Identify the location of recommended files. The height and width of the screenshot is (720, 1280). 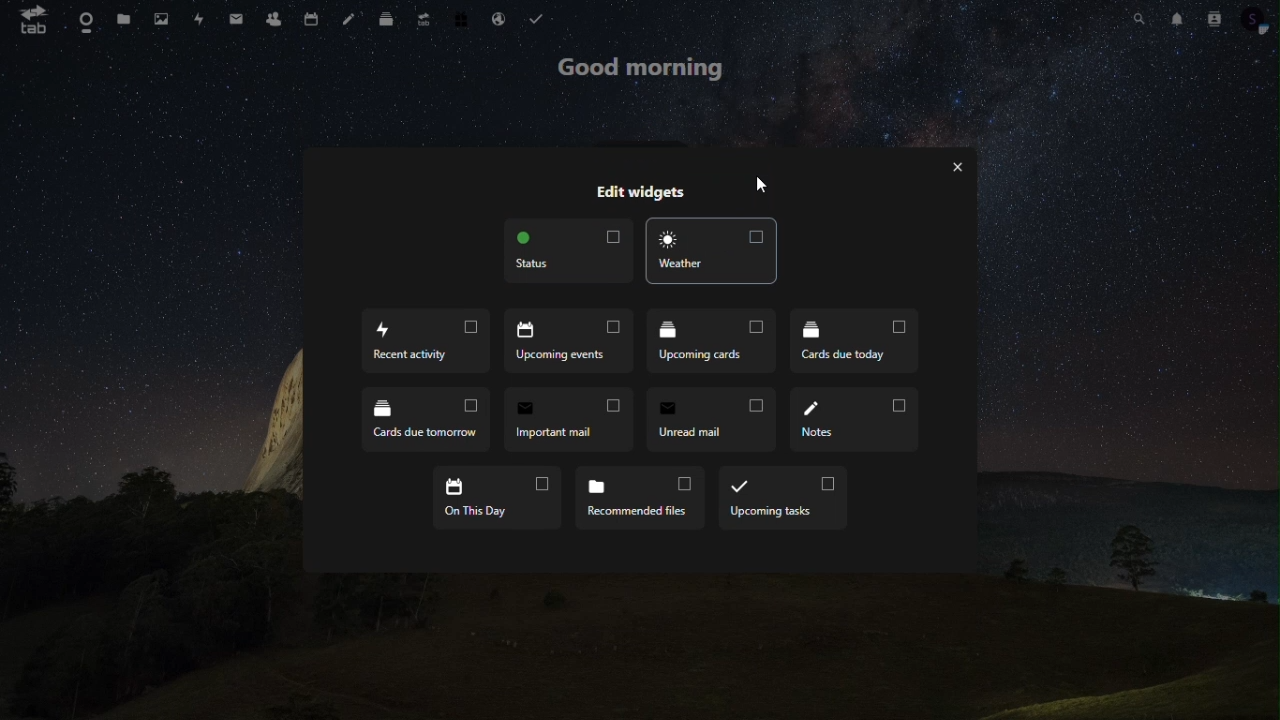
(636, 498).